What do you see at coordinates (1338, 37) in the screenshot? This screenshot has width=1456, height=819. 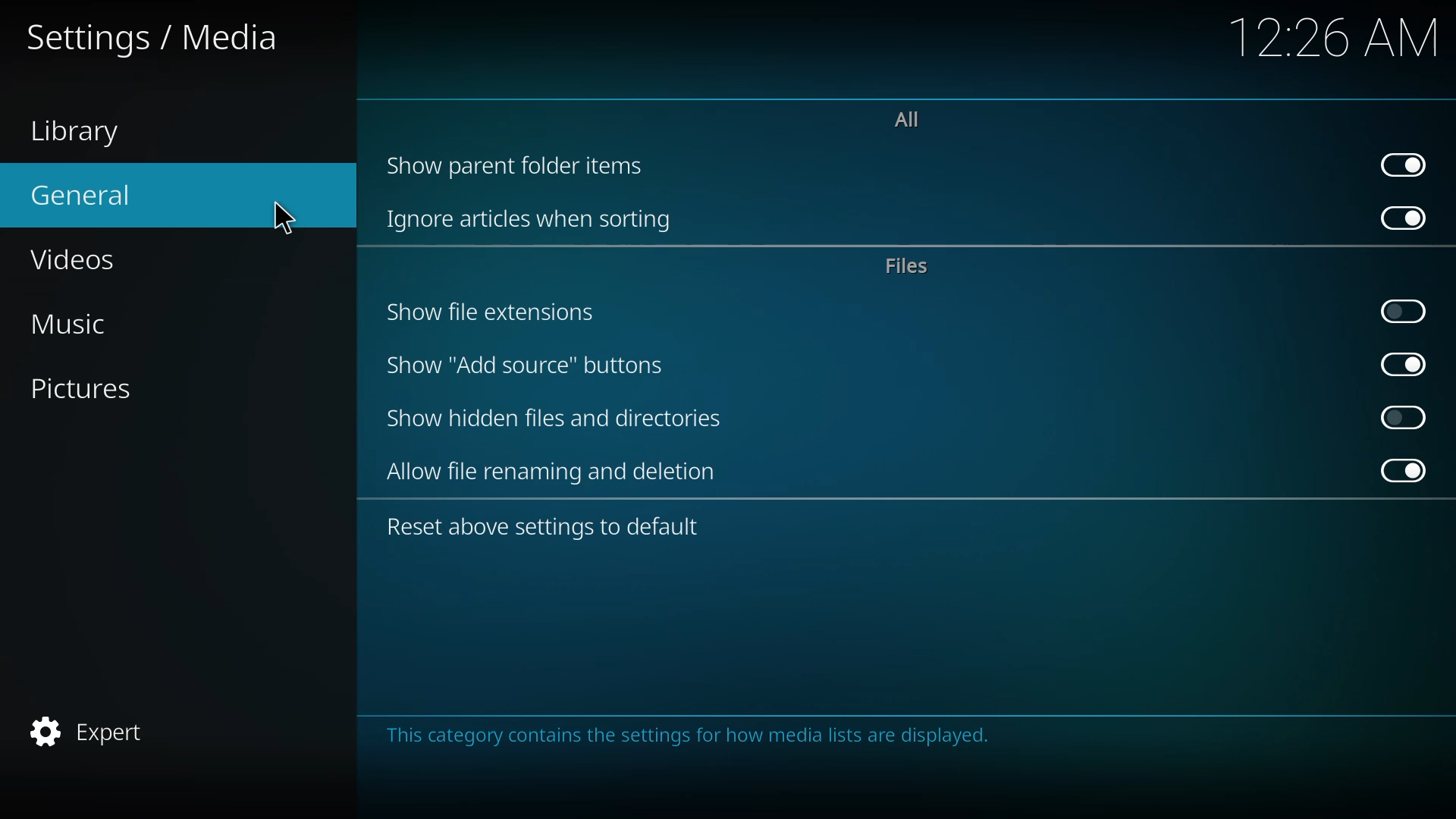 I see `time` at bounding box center [1338, 37].